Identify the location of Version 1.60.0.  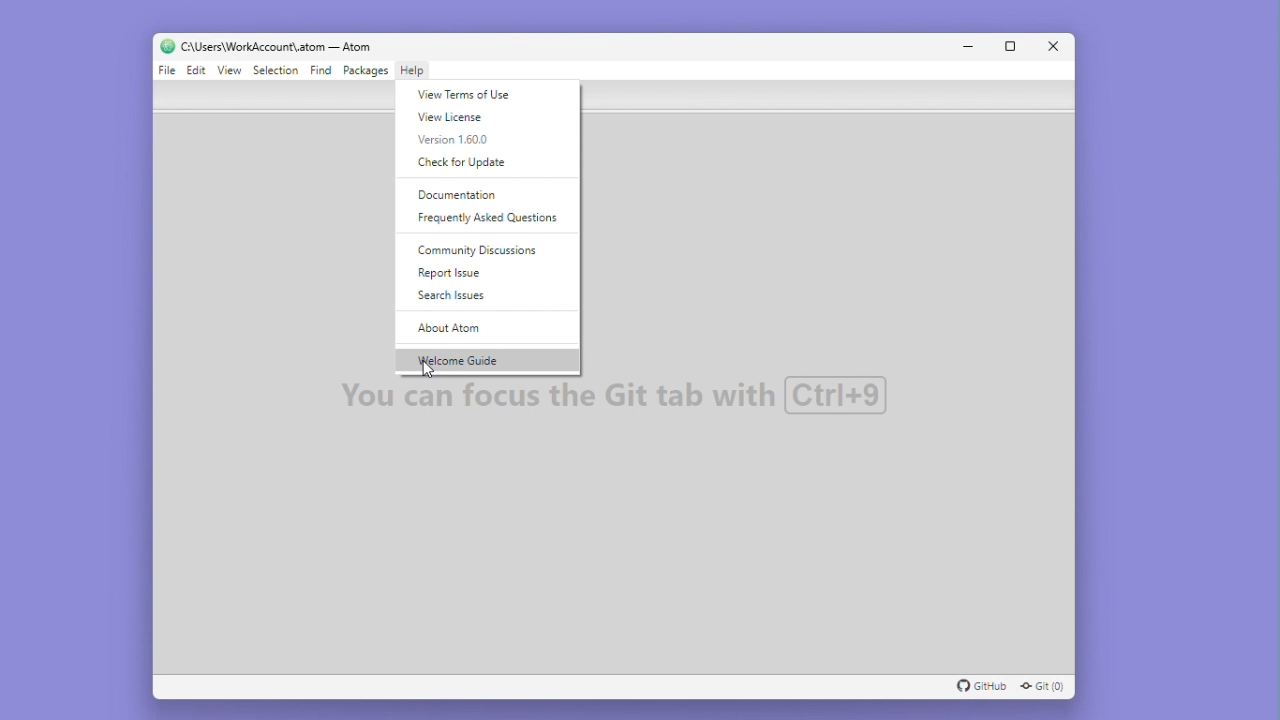
(466, 138).